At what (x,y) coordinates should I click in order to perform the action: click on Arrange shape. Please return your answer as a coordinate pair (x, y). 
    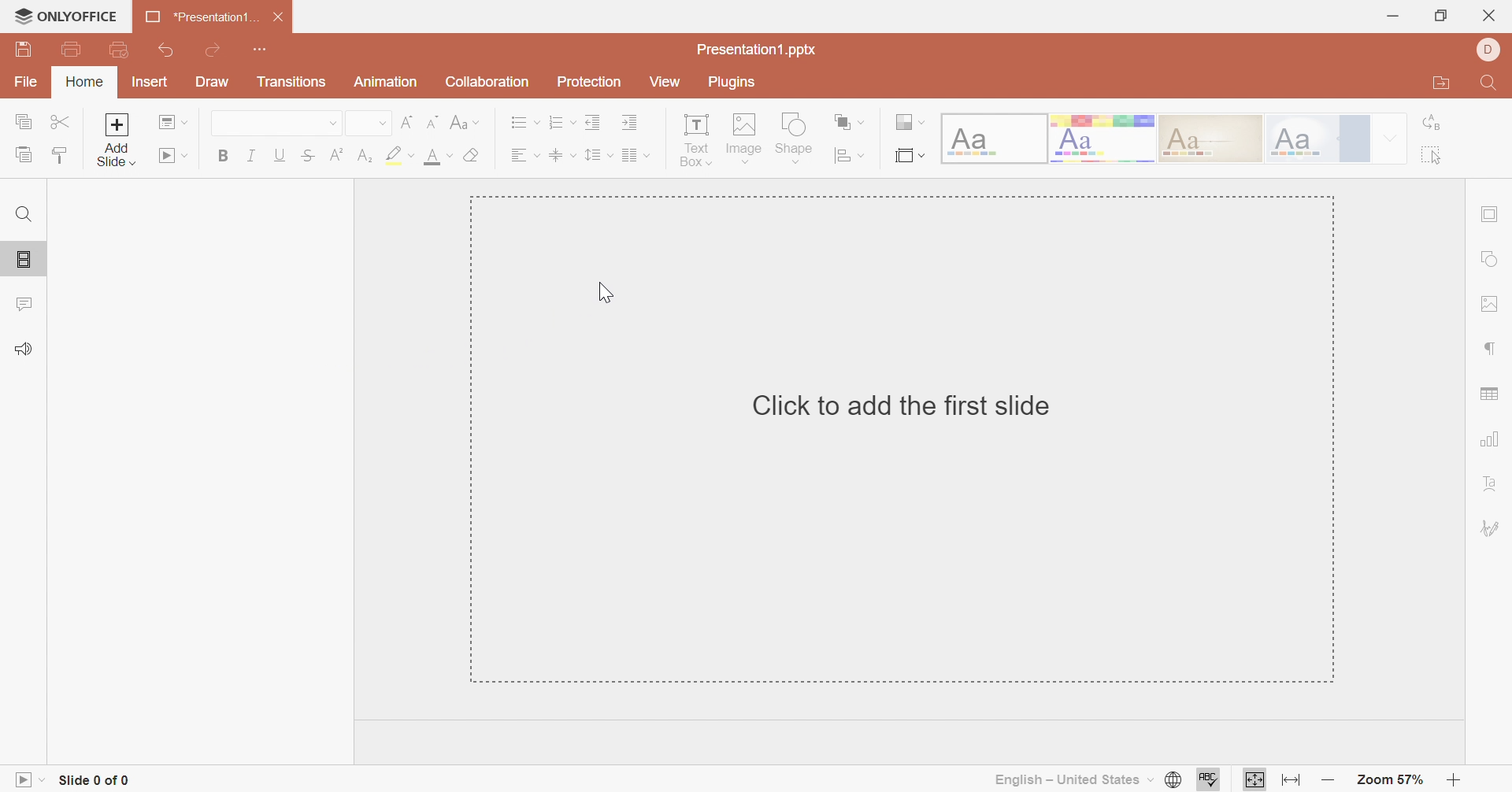
    Looking at the image, I should click on (842, 121).